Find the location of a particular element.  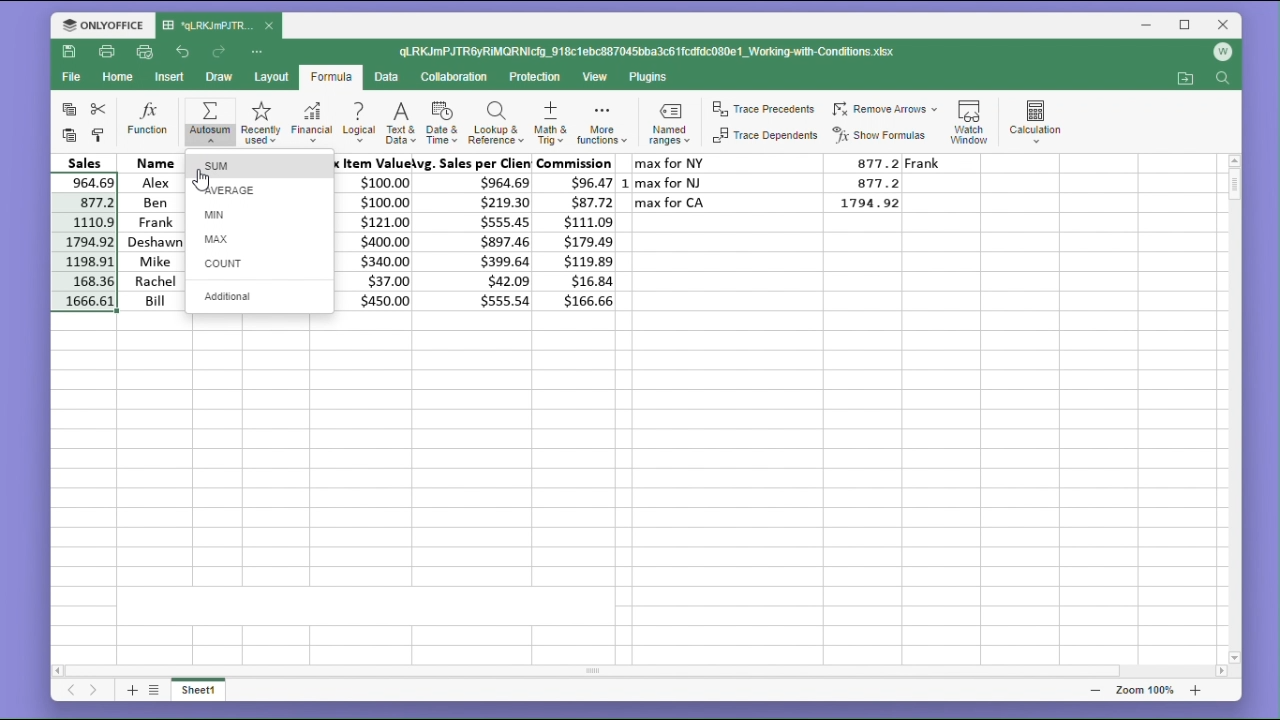

zoom 100% is located at coordinates (1141, 690).